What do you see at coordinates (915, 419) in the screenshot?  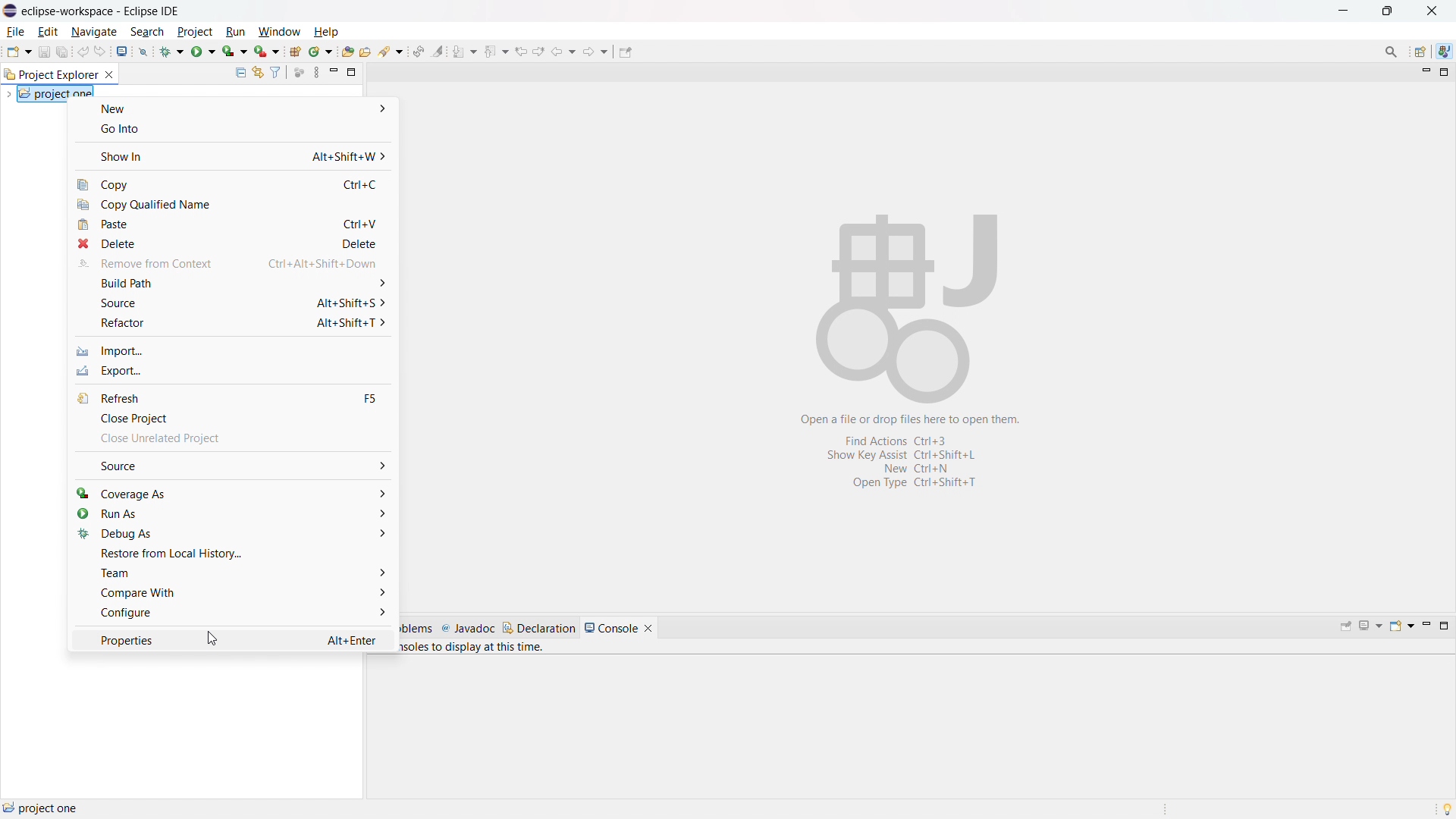 I see `open a file or drop files here to open them. ` at bounding box center [915, 419].